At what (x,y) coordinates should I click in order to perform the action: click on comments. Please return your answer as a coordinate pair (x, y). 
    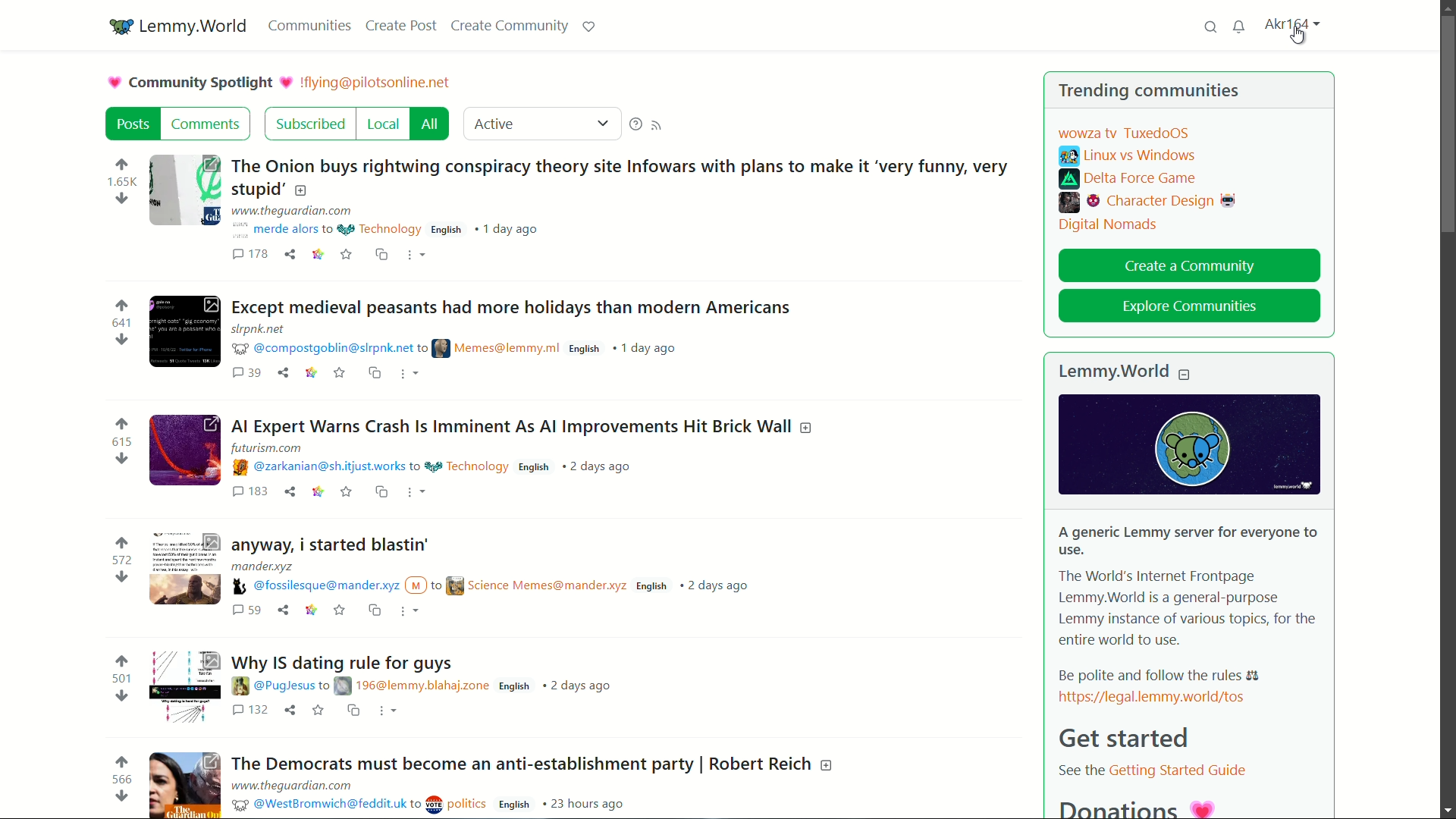
    Looking at the image, I should click on (208, 123).